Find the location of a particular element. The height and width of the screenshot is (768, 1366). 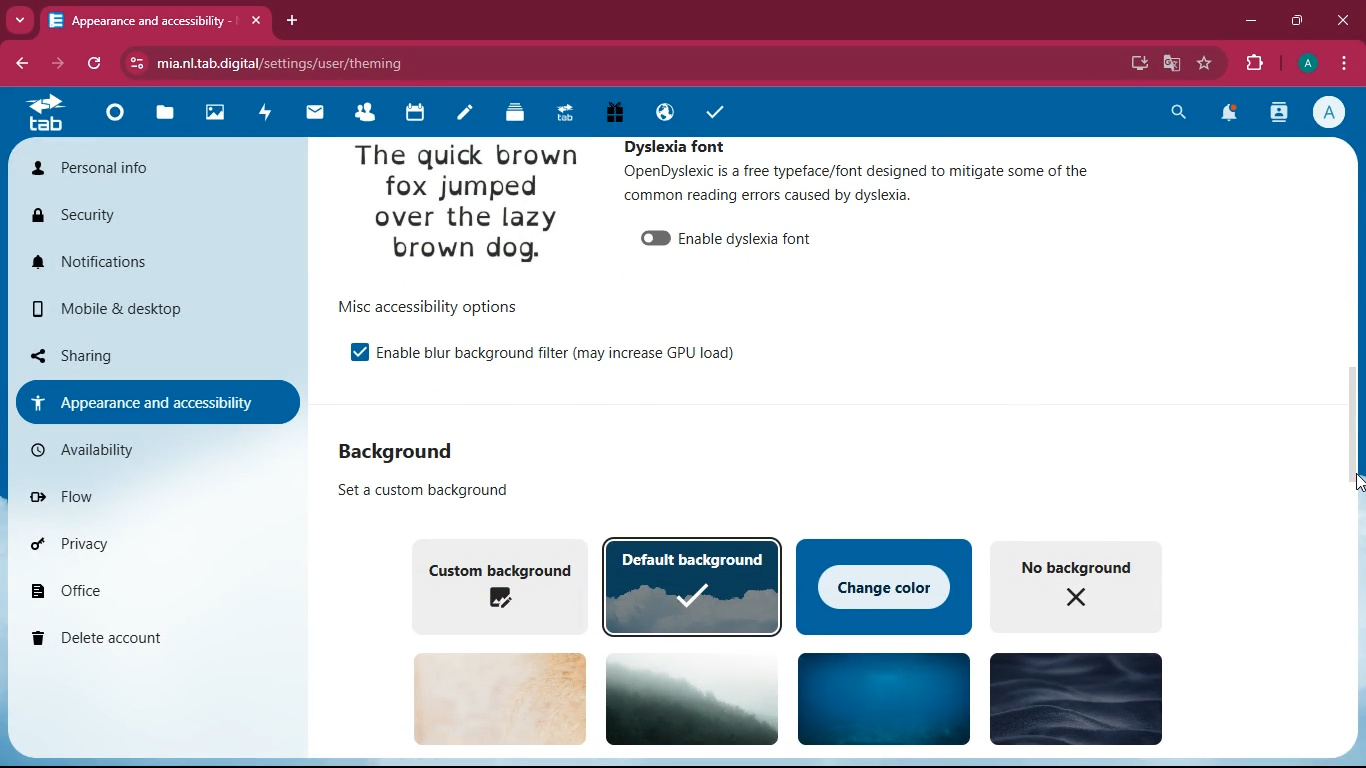

minimize is located at coordinates (1252, 21).